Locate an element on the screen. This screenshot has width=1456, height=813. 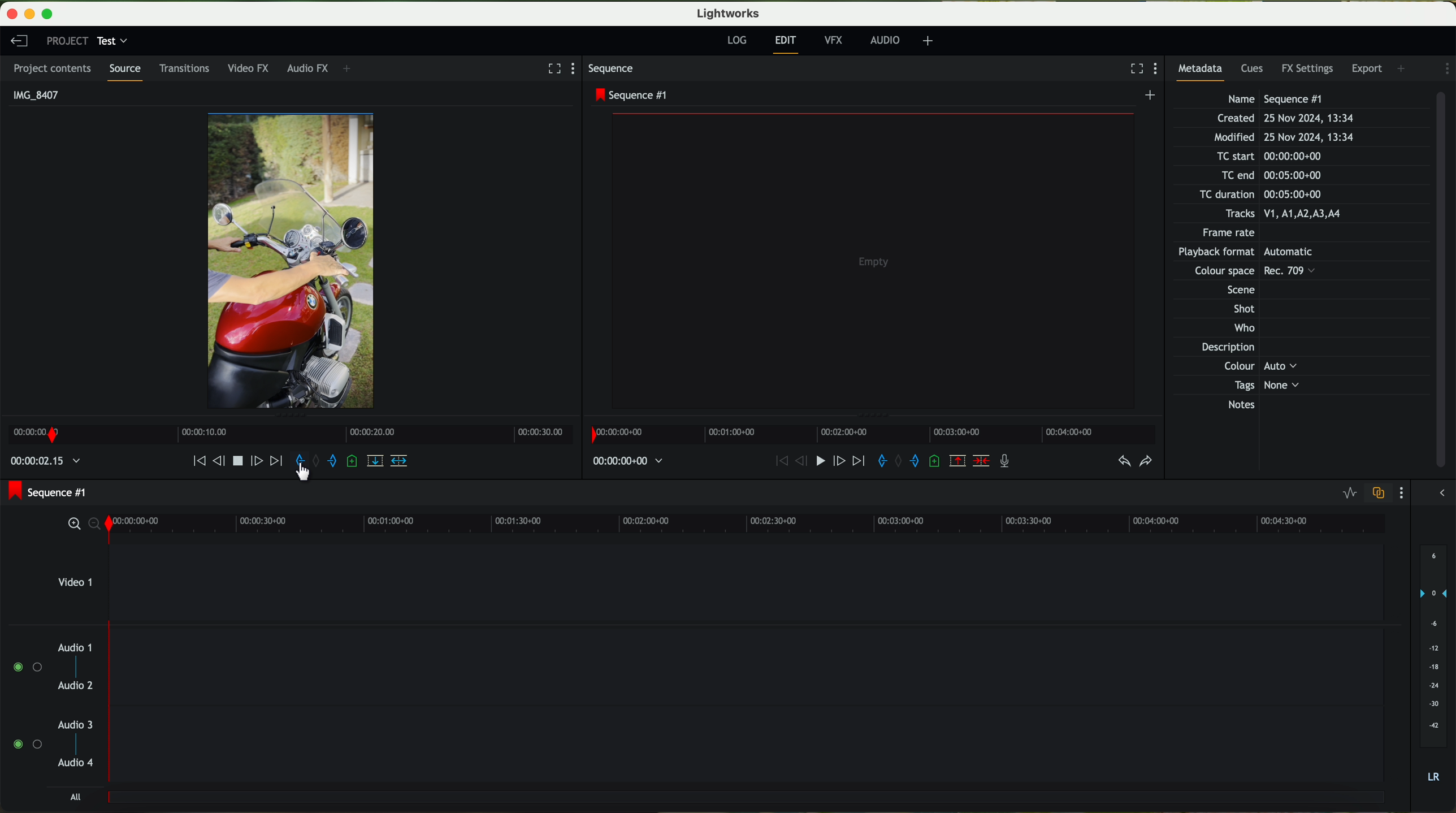
add an out mark is located at coordinates (332, 464).